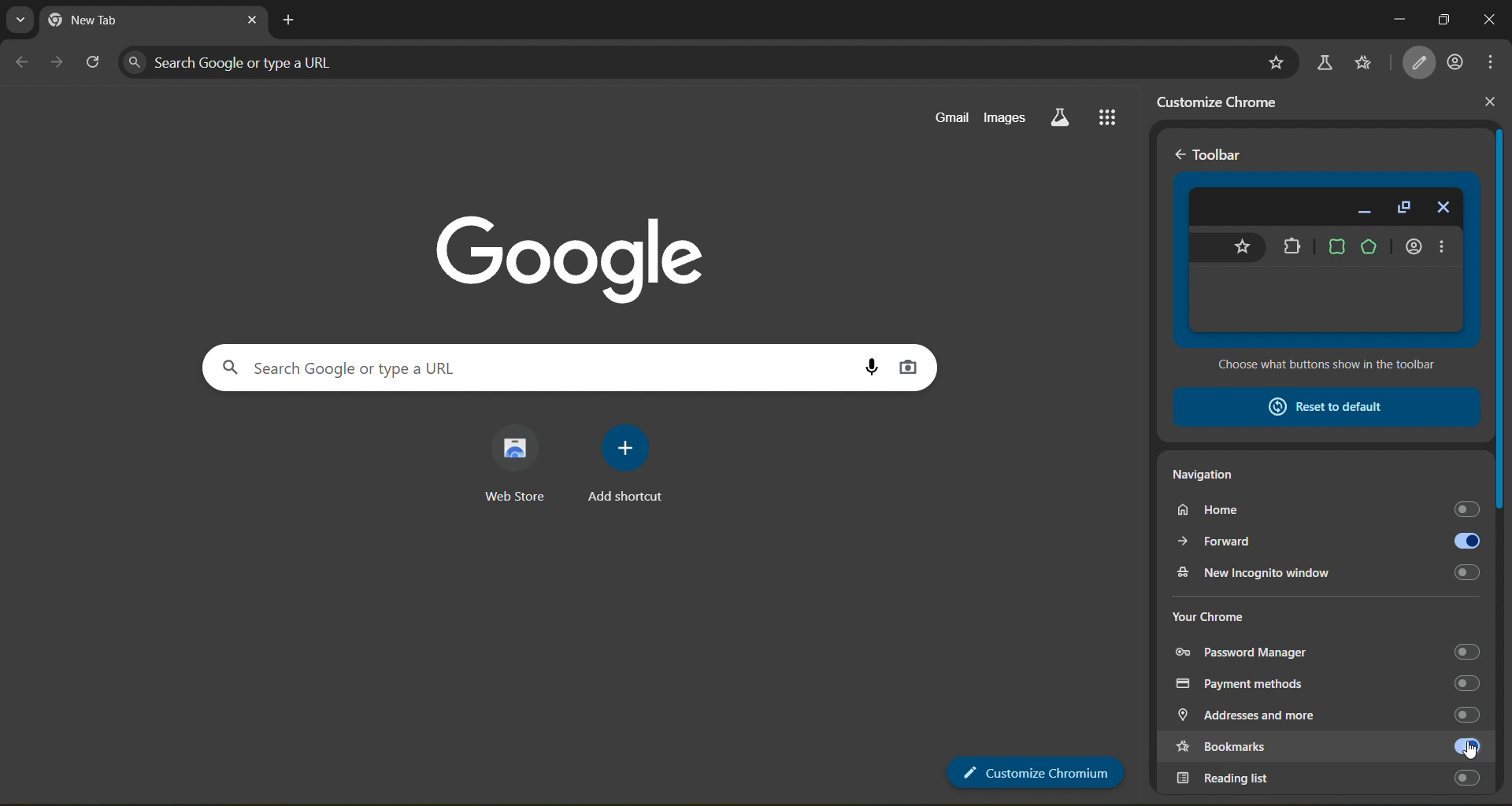 This screenshot has width=1512, height=806. What do you see at coordinates (466, 365) in the screenshot?
I see `search panel` at bounding box center [466, 365].